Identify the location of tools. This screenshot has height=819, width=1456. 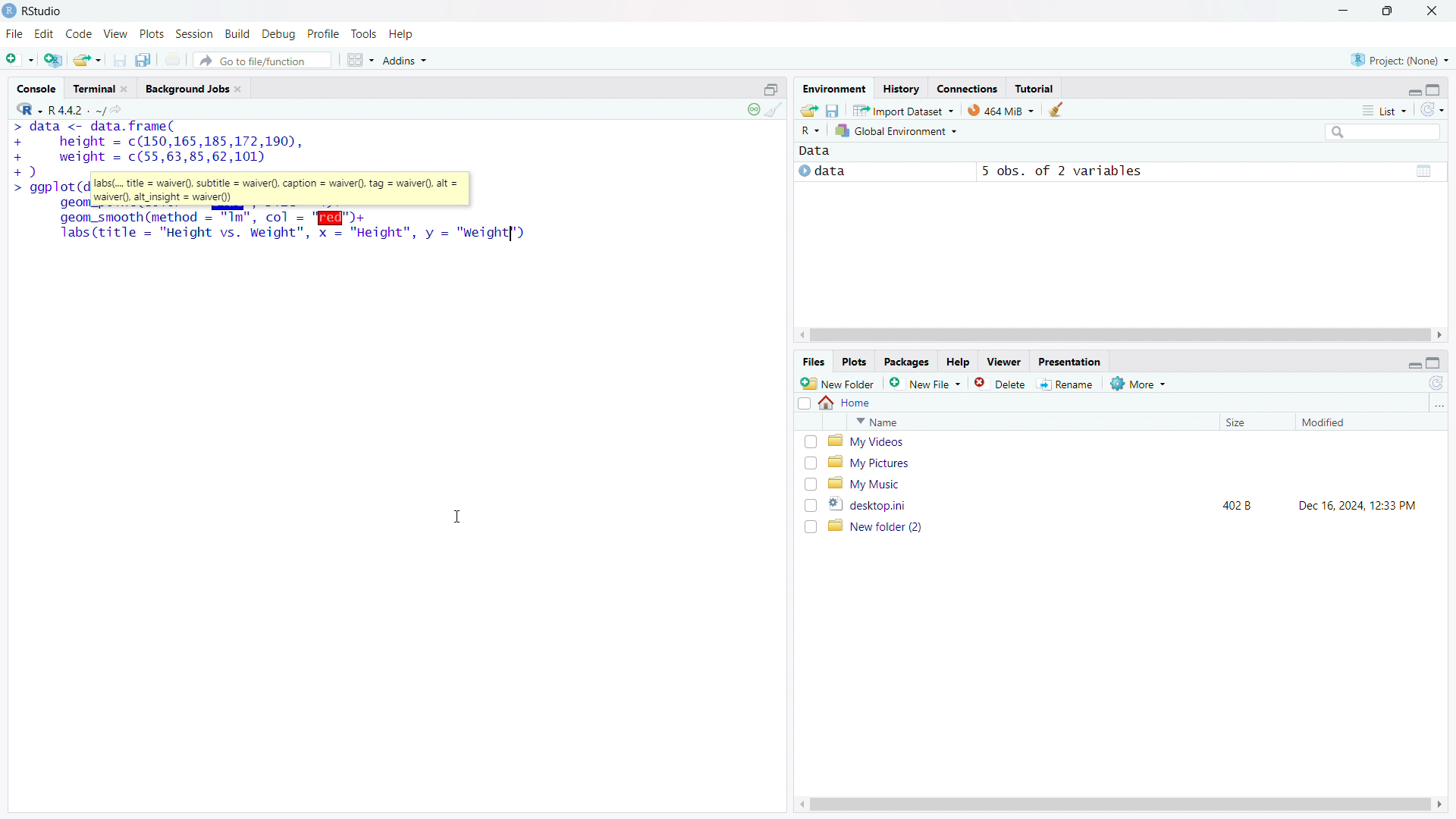
(363, 34).